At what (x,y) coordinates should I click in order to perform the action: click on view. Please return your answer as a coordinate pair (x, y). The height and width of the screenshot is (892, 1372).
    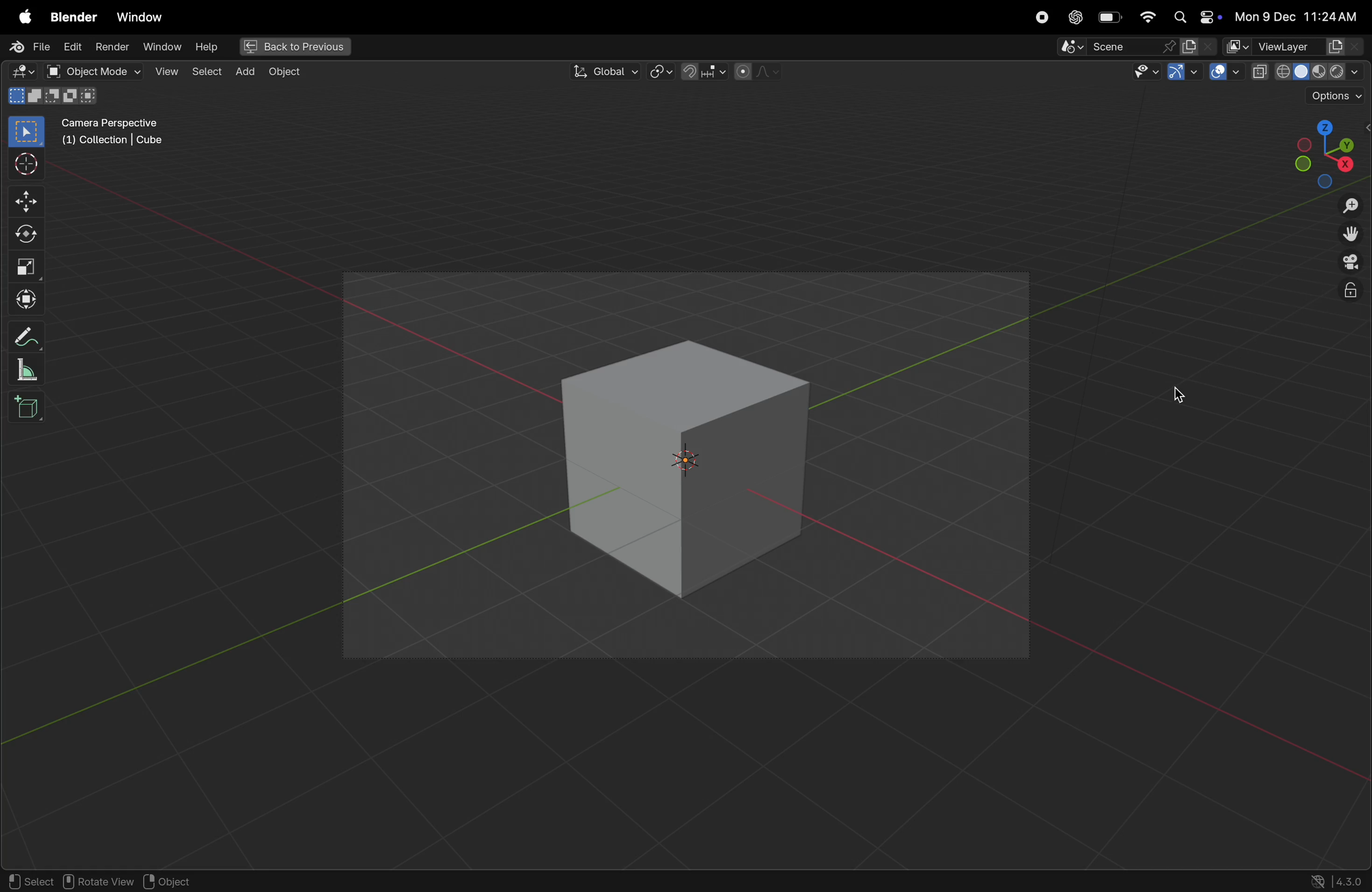
    Looking at the image, I should click on (163, 70).